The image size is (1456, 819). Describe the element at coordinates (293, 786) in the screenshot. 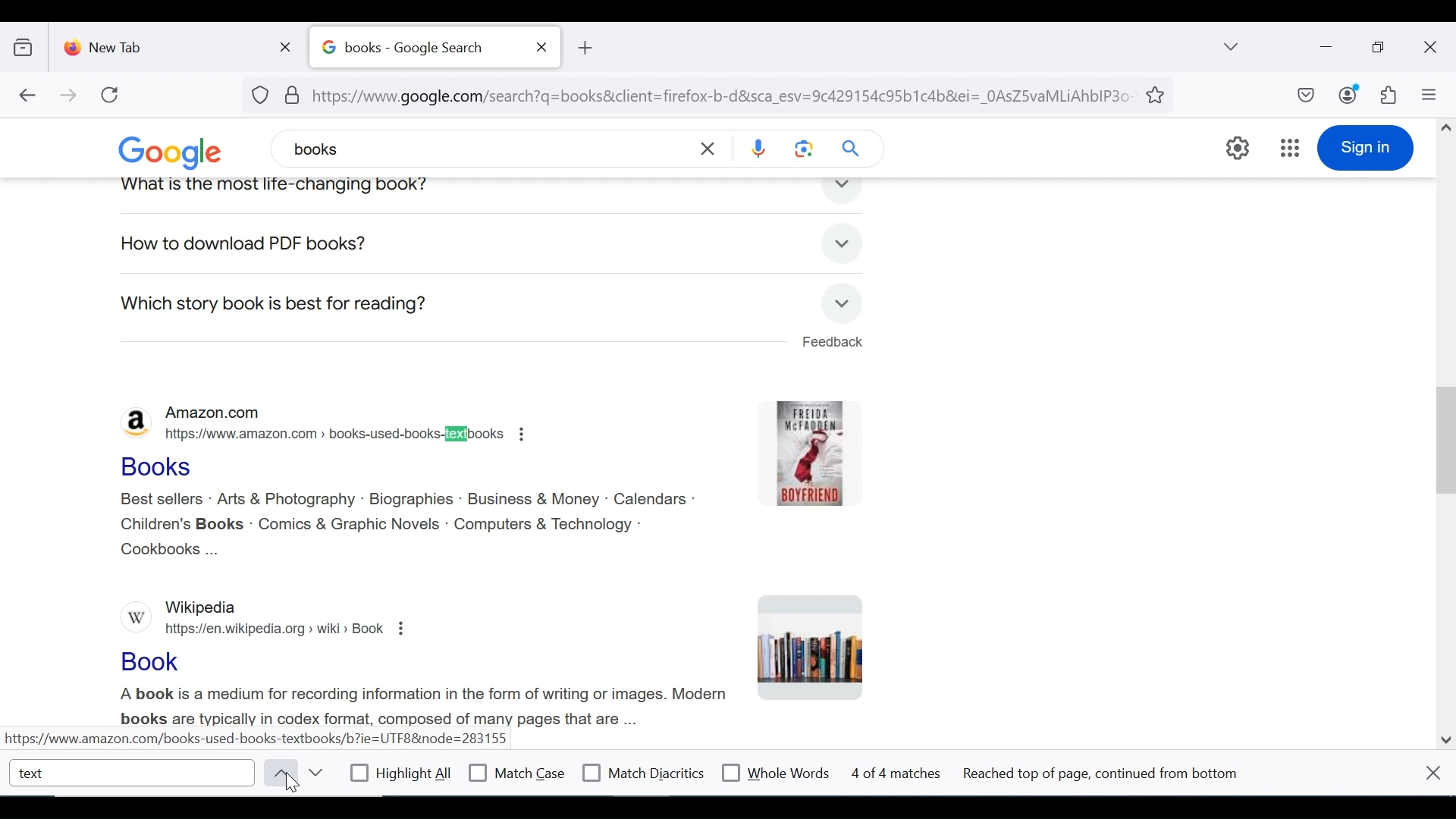

I see `mouse pointer` at that location.